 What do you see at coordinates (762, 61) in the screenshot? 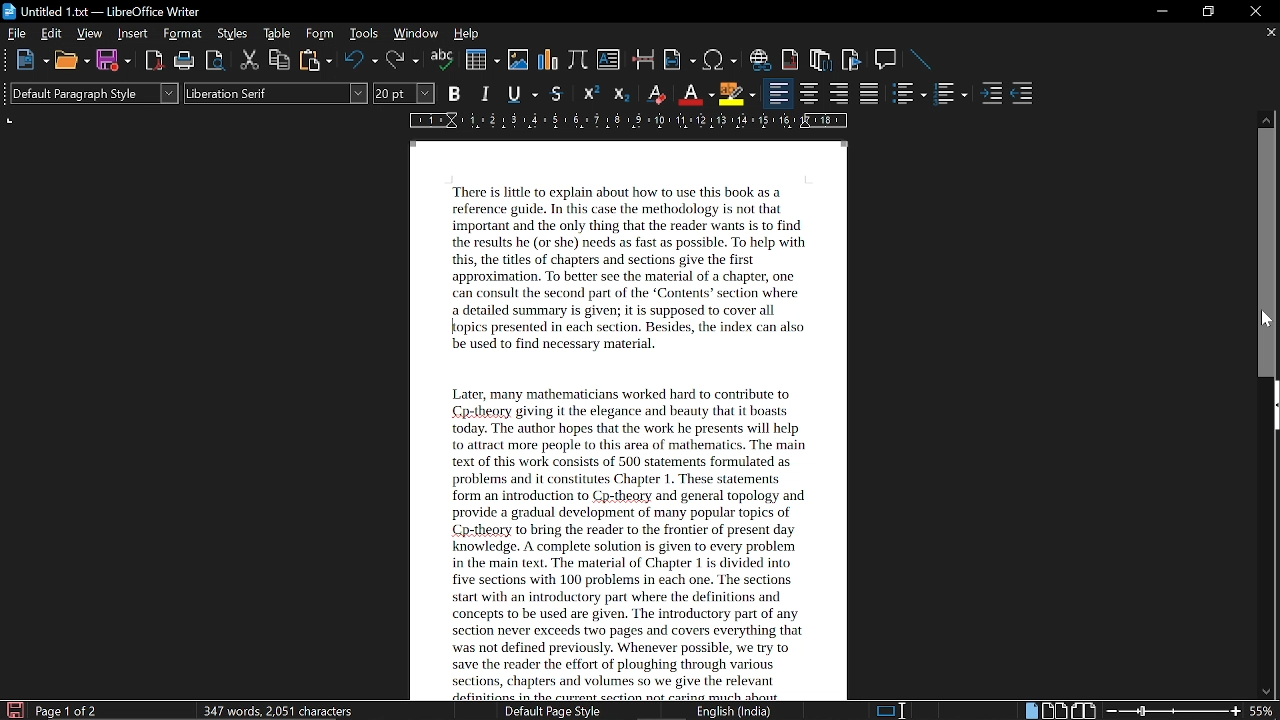
I see `insert hyperlink` at bounding box center [762, 61].